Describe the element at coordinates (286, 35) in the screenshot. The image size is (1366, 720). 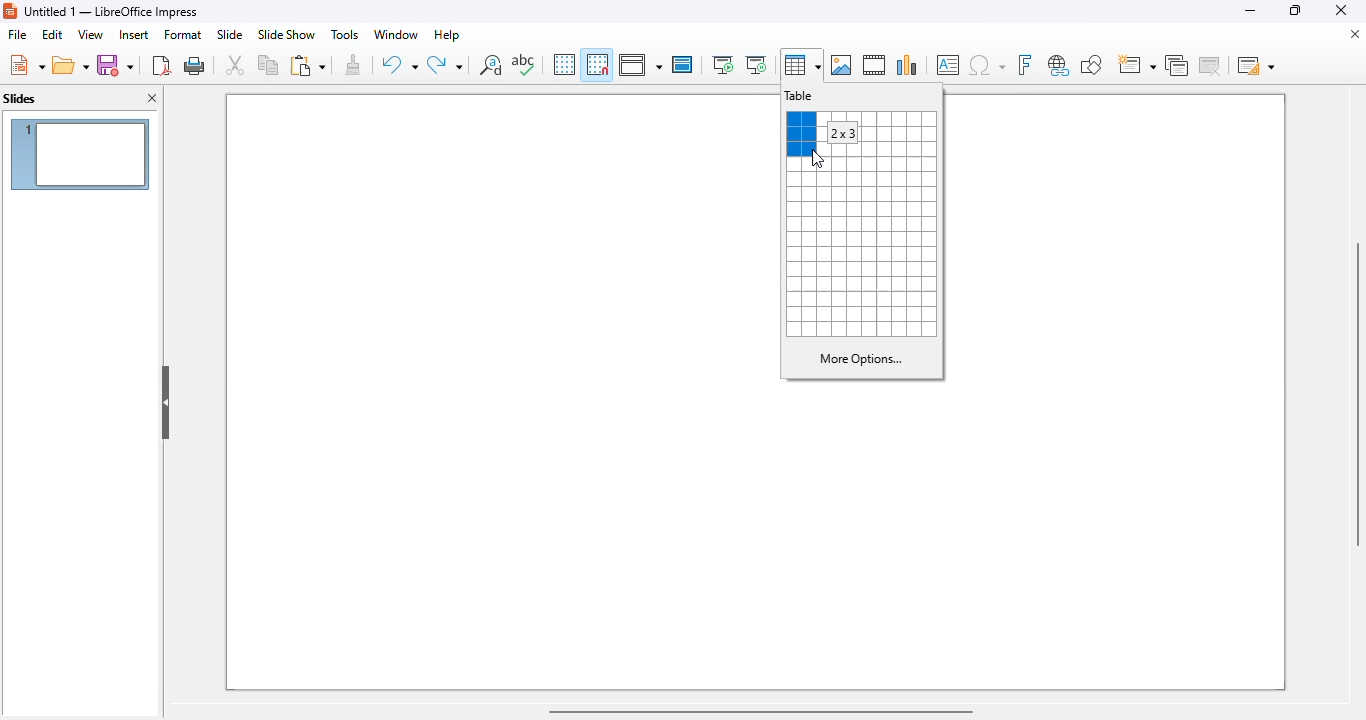
I see `slide show` at that location.